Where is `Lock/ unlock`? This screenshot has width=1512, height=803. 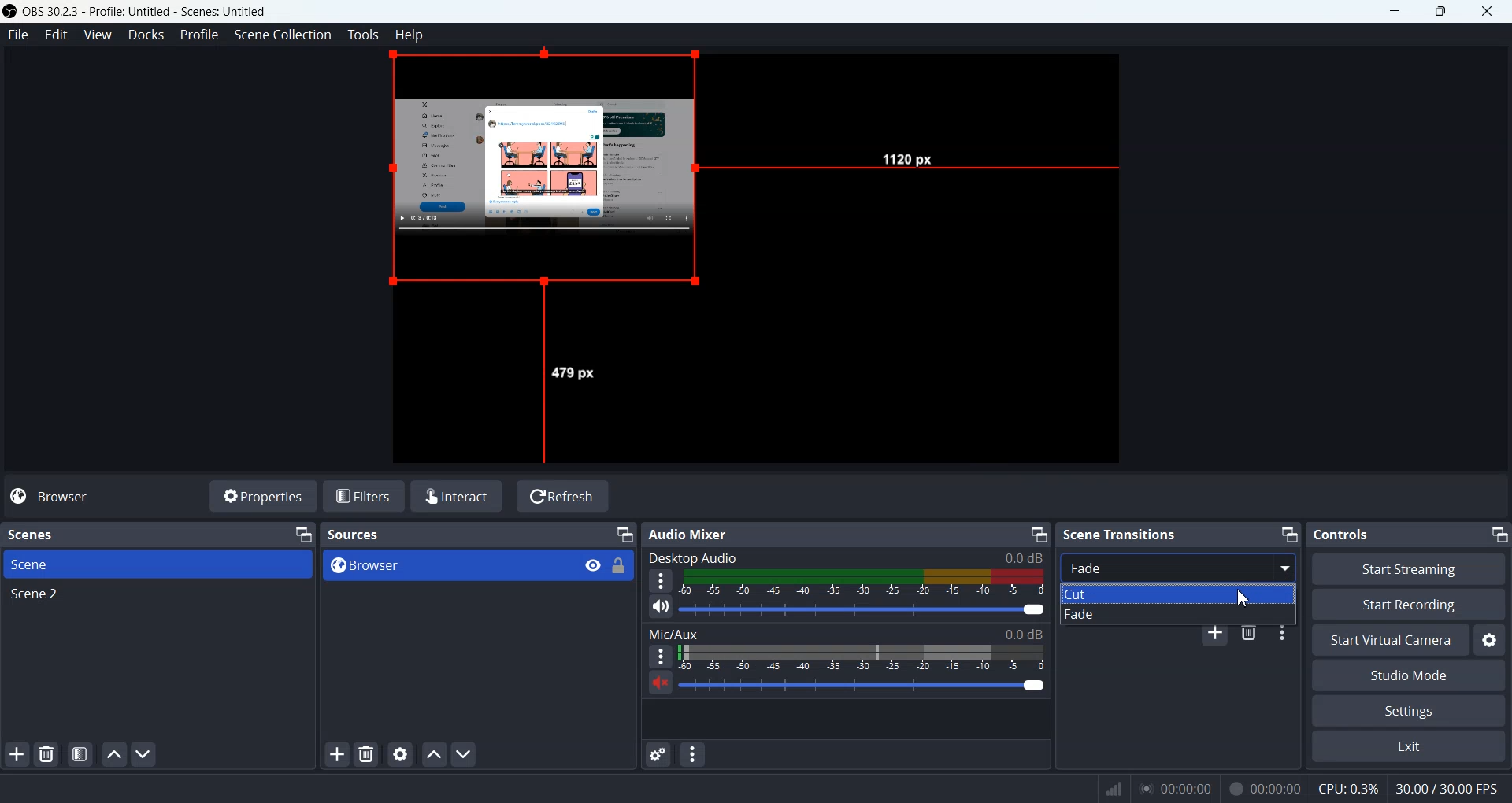 Lock/ unlock is located at coordinates (620, 566).